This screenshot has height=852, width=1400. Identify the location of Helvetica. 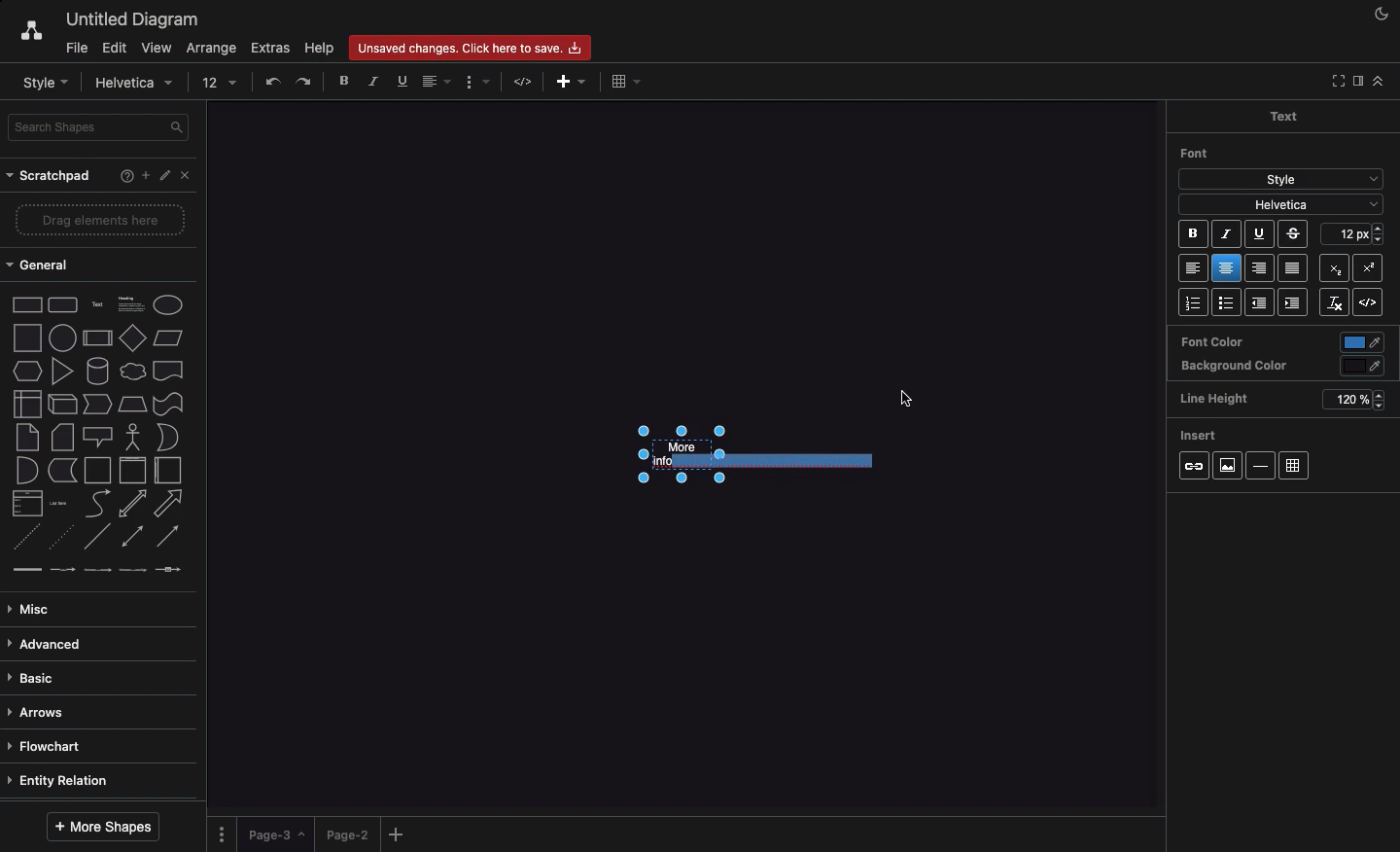
(137, 84).